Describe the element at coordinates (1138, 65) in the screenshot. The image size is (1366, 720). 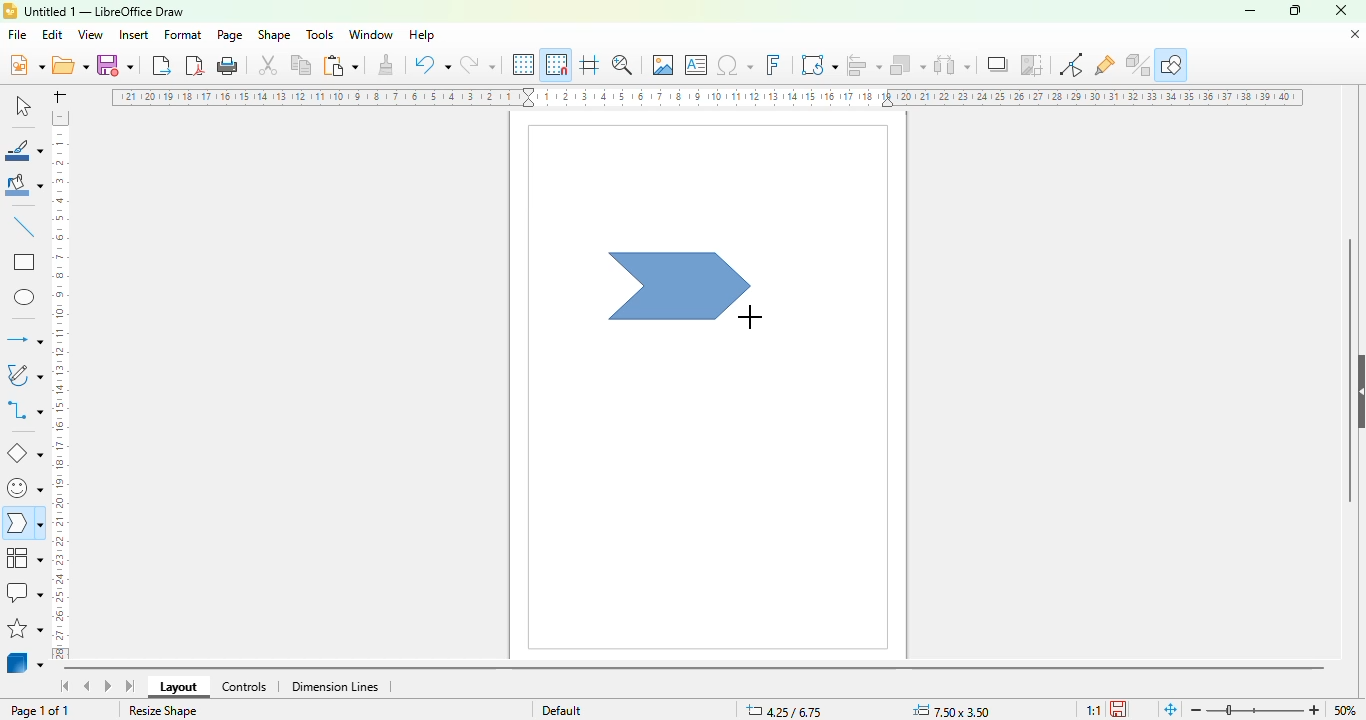
I see `toggle extrusion` at that location.